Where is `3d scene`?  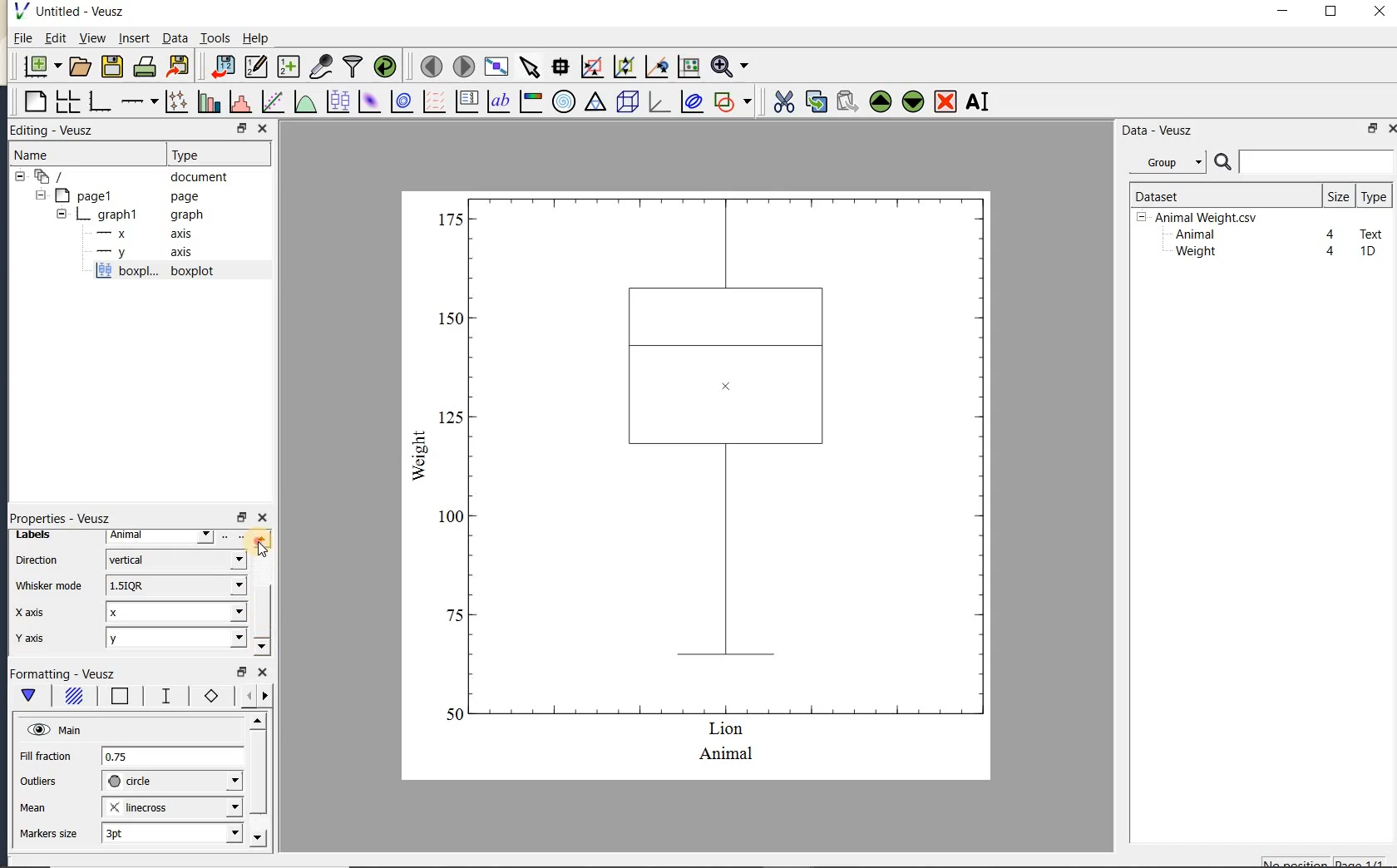 3d scene is located at coordinates (625, 102).